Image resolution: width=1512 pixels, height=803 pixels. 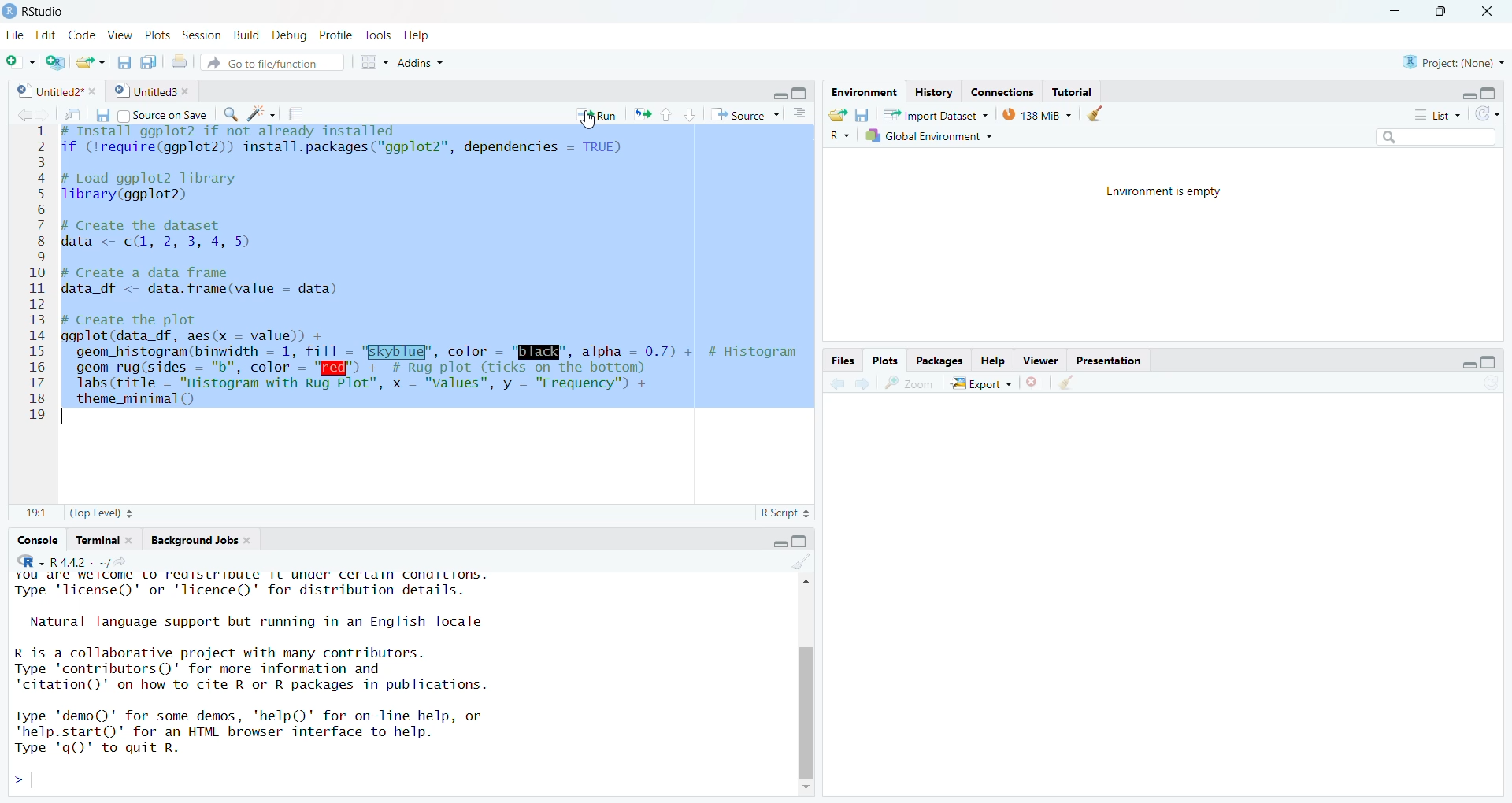 I want to click on Presentation, so click(x=1118, y=359).